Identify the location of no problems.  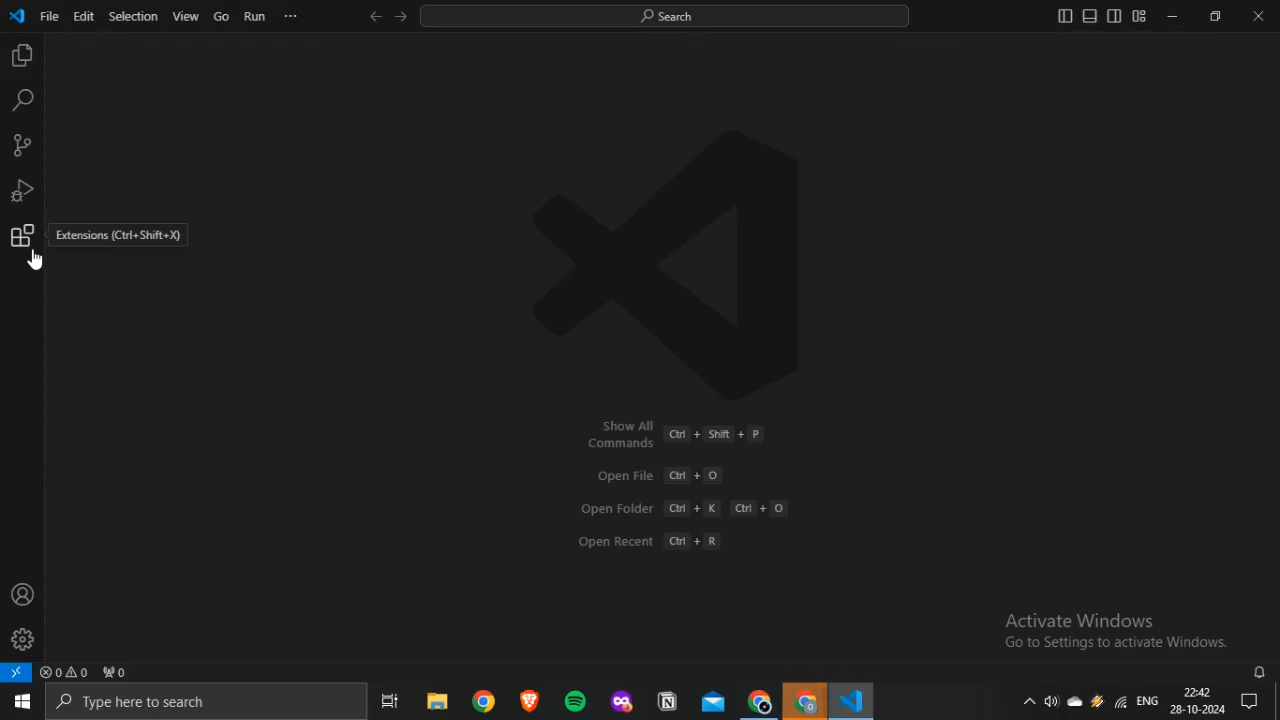
(64, 672).